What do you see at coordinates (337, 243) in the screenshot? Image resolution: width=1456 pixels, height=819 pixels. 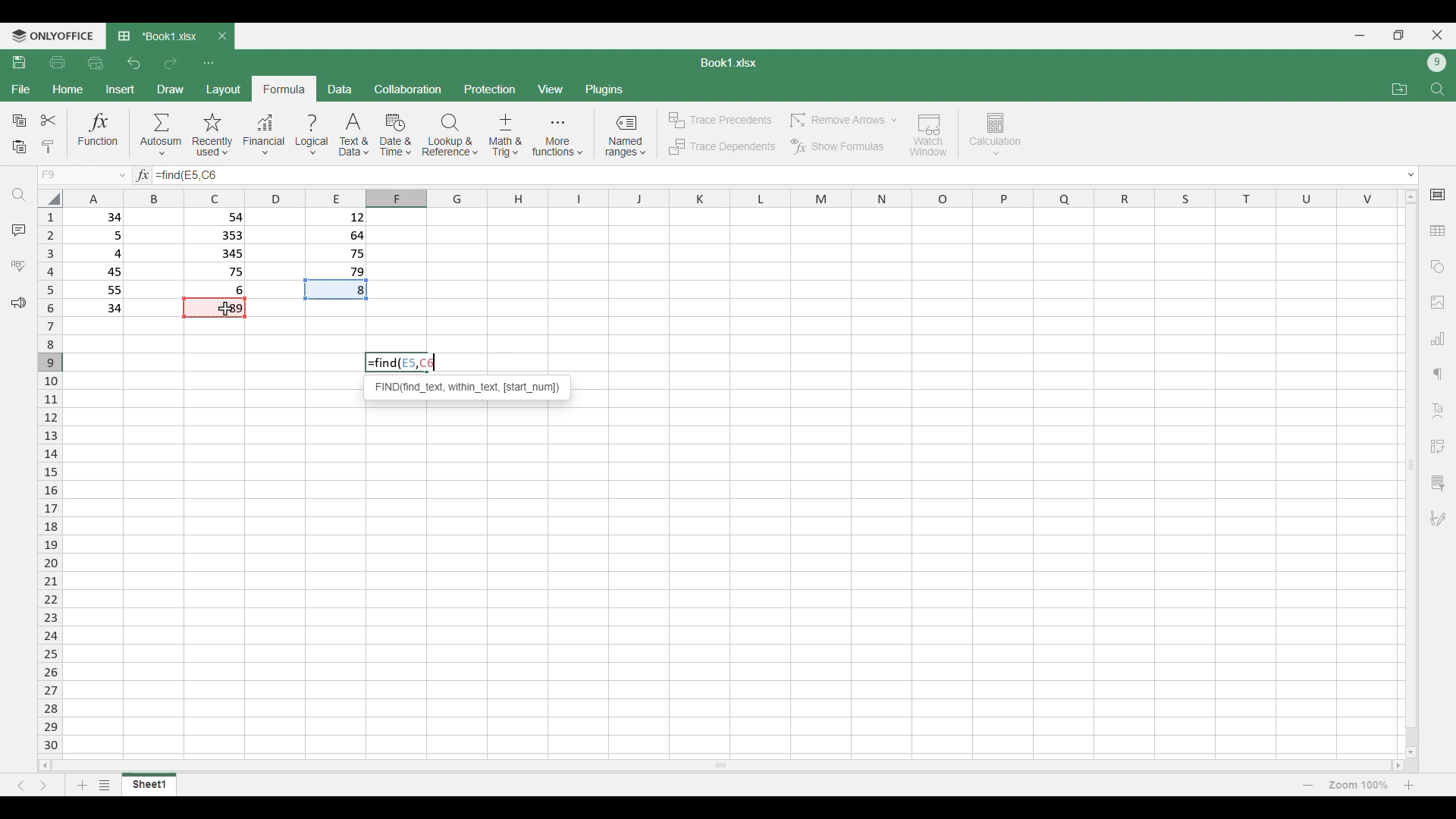 I see `Filled cells` at bounding box center [337, 243].